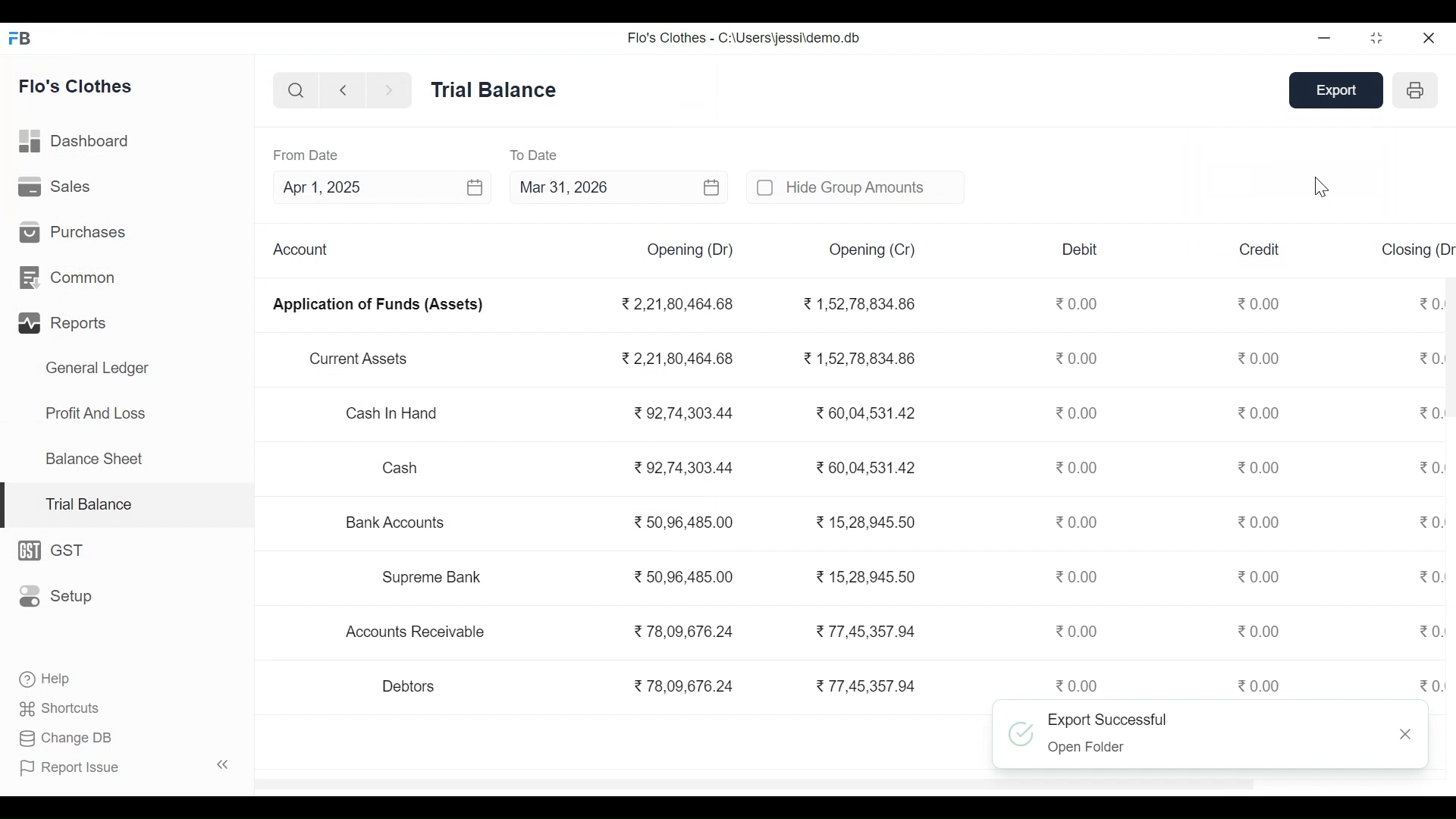 The width and height of the screenshot is (1456, 819). What do you see at coordinates (74, 232) in the screenshot?
I see `Purchases` at bounding box center [74, 232].